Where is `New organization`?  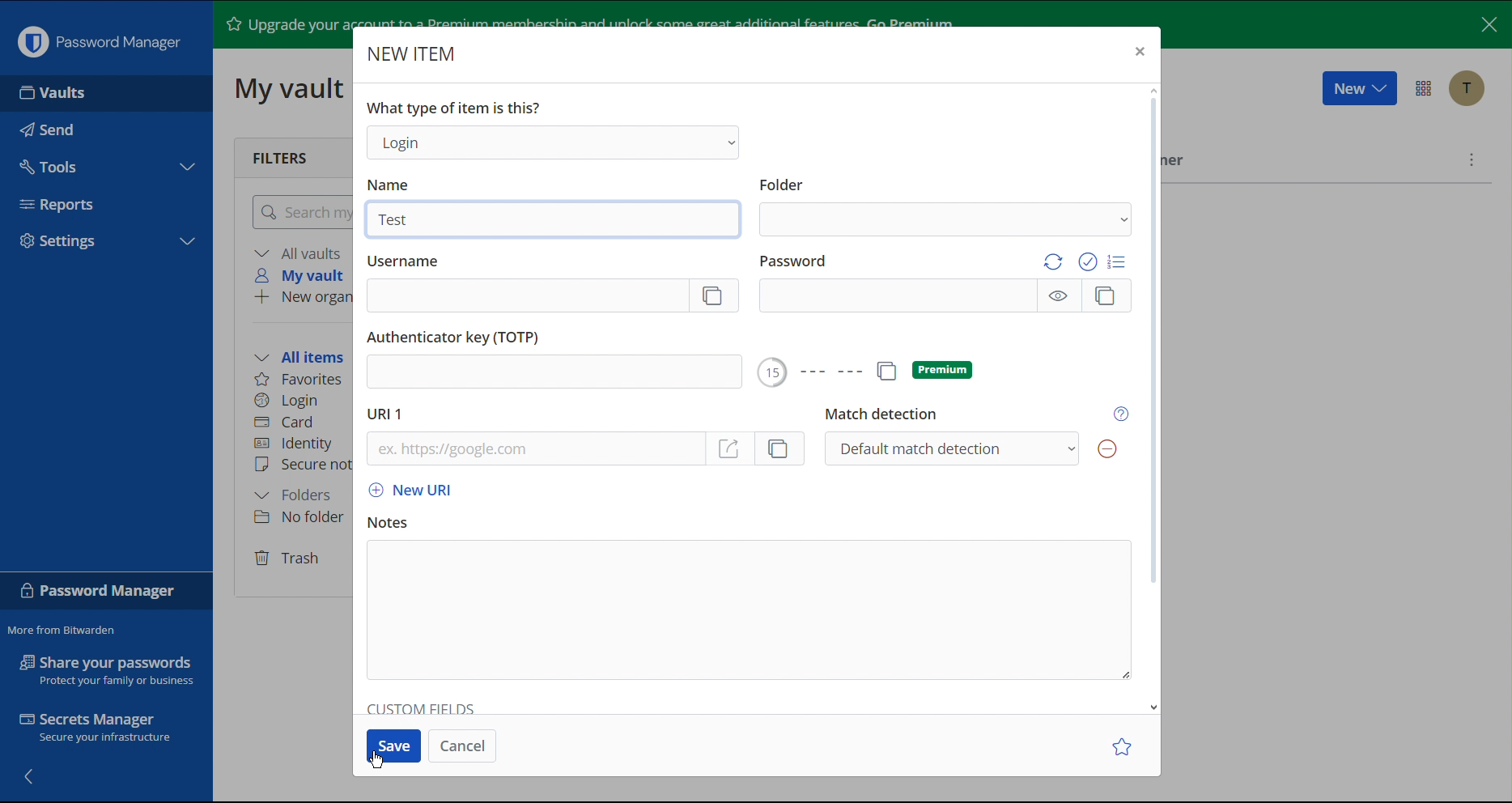
New organization is located at coordinates (298, 297).